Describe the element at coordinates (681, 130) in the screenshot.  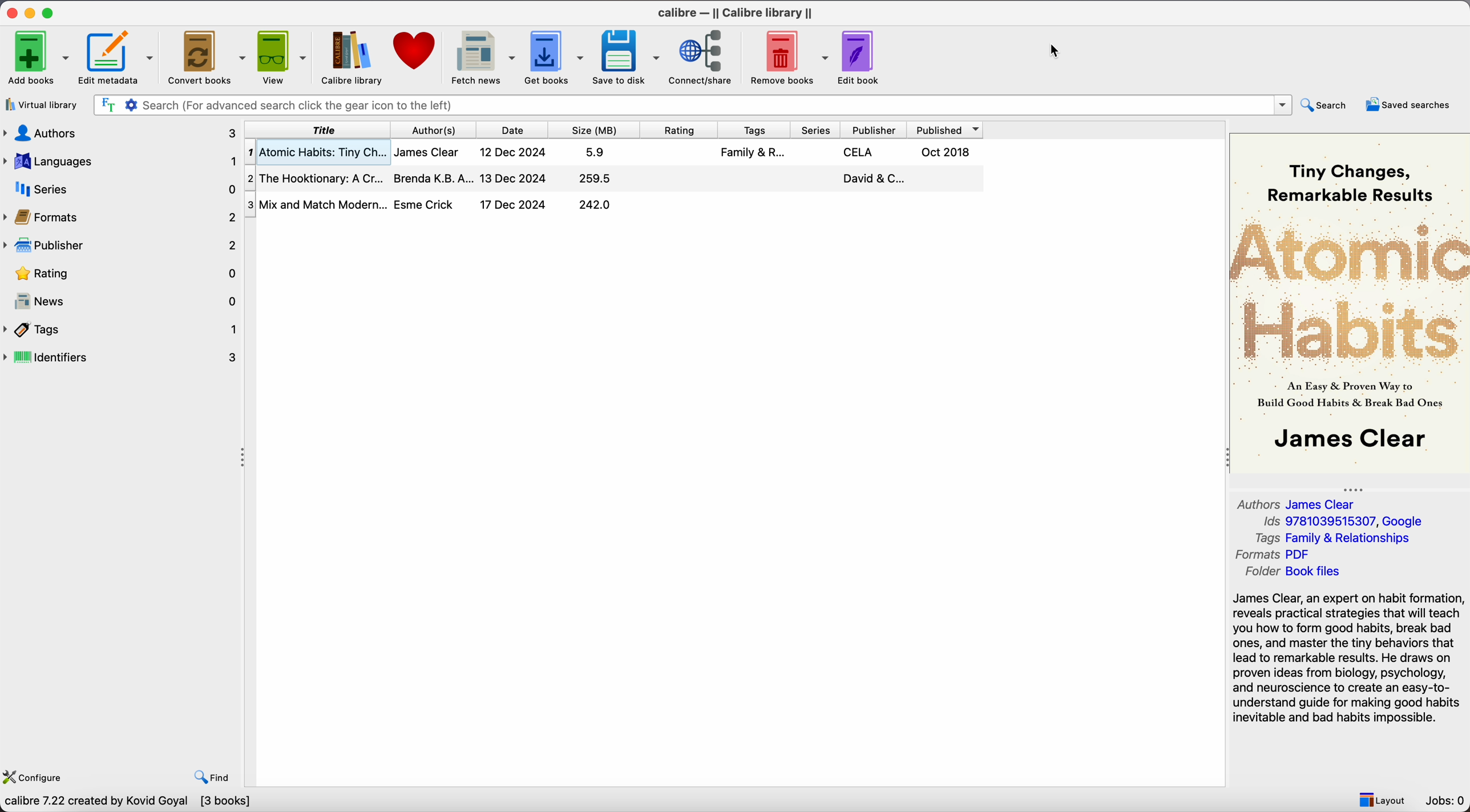
I see `rating` at that location.